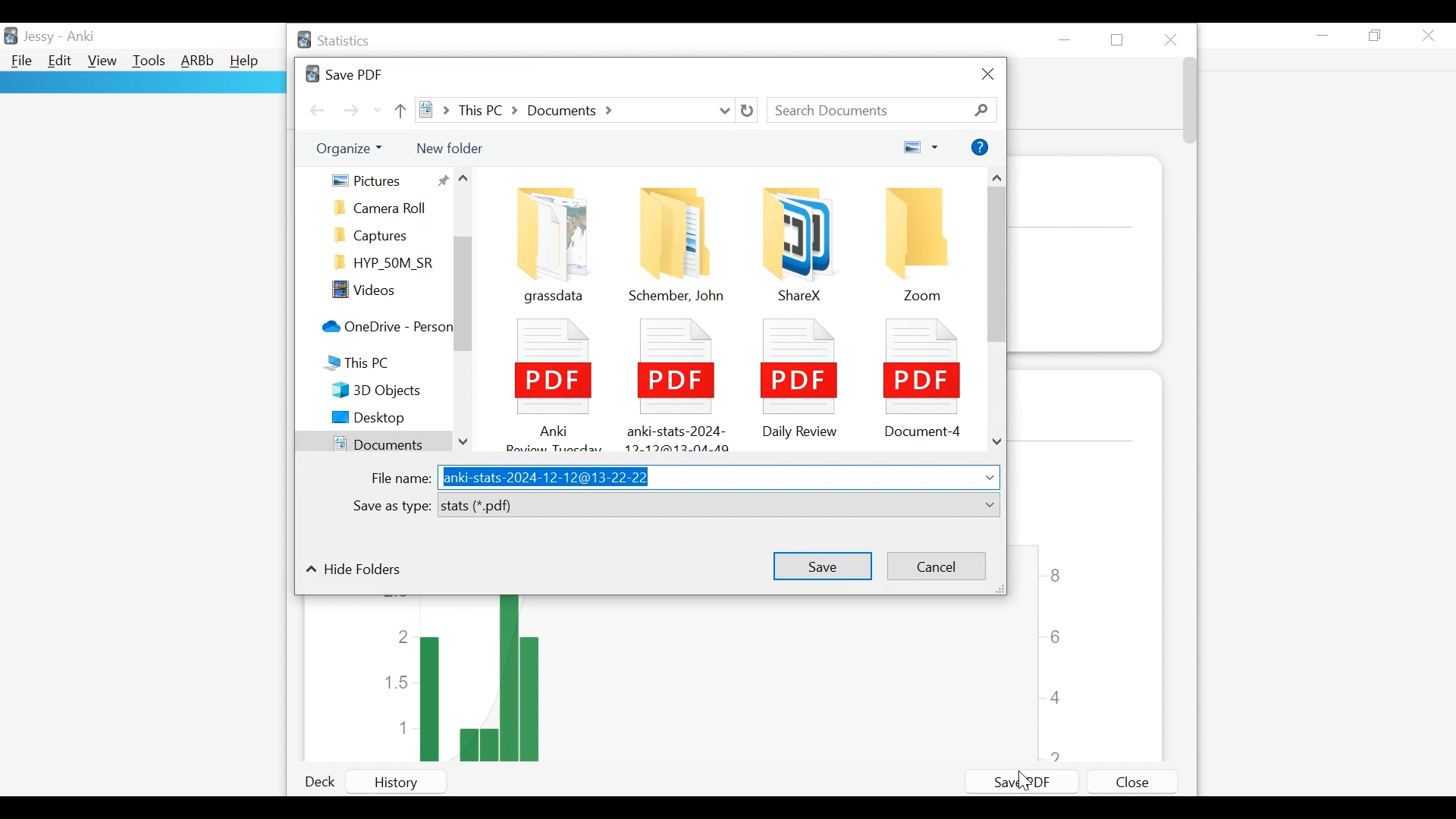  I want to click on Scroll up, so click(998, 178).